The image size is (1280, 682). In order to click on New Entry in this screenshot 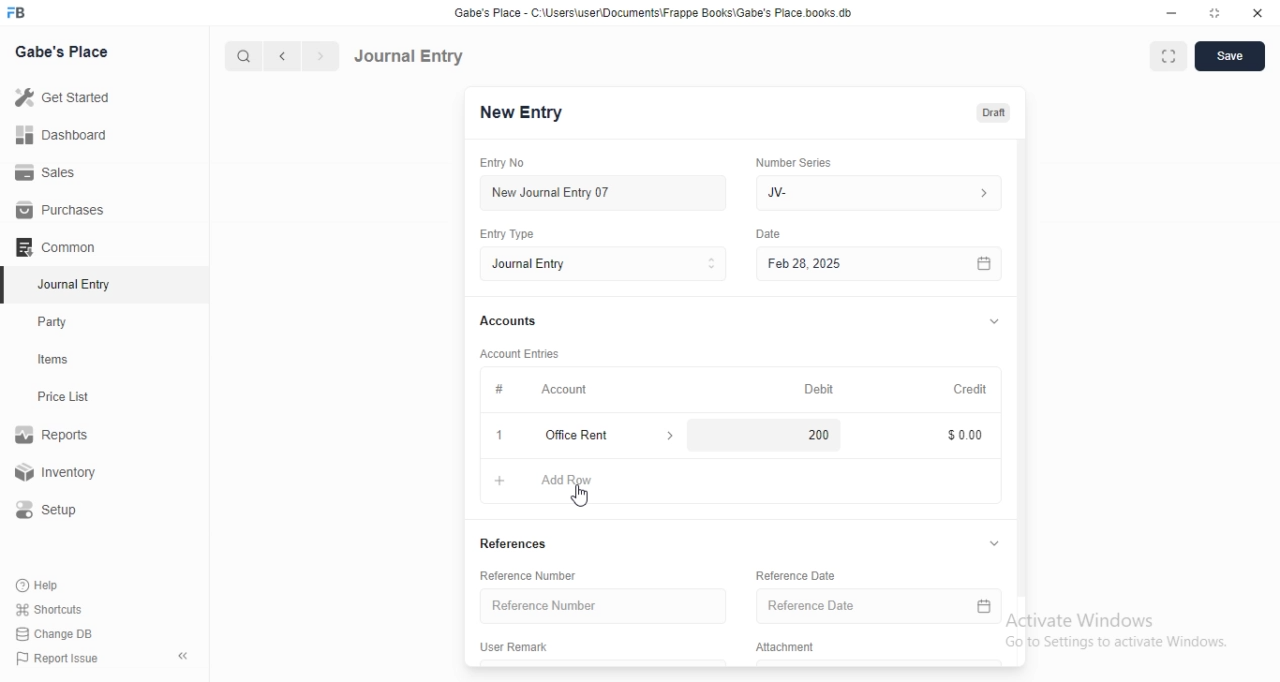, I will do `click(521, 113)`.